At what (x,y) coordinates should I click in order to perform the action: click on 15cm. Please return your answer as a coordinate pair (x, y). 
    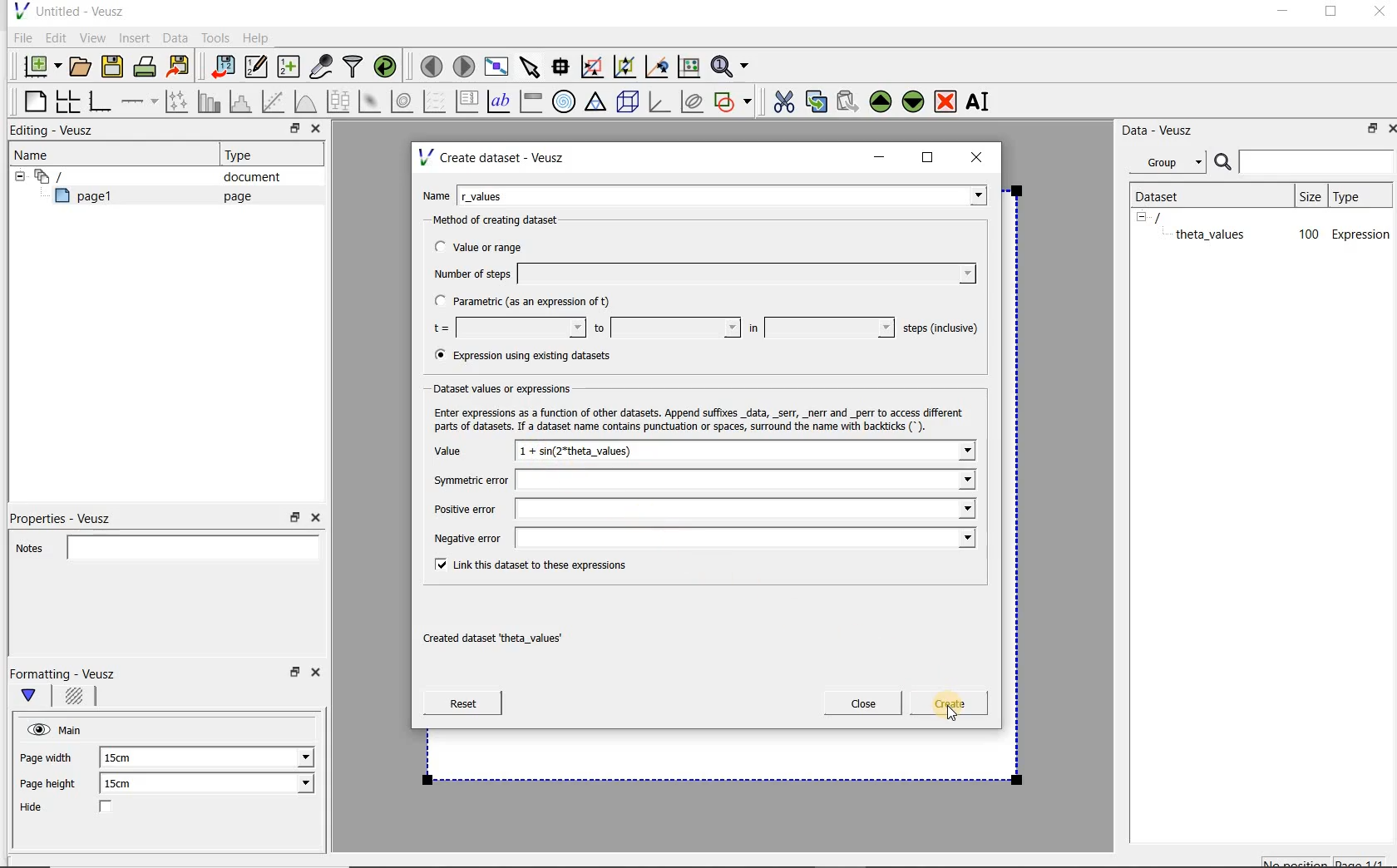
    Looking at the image, I should click on (126, 758).